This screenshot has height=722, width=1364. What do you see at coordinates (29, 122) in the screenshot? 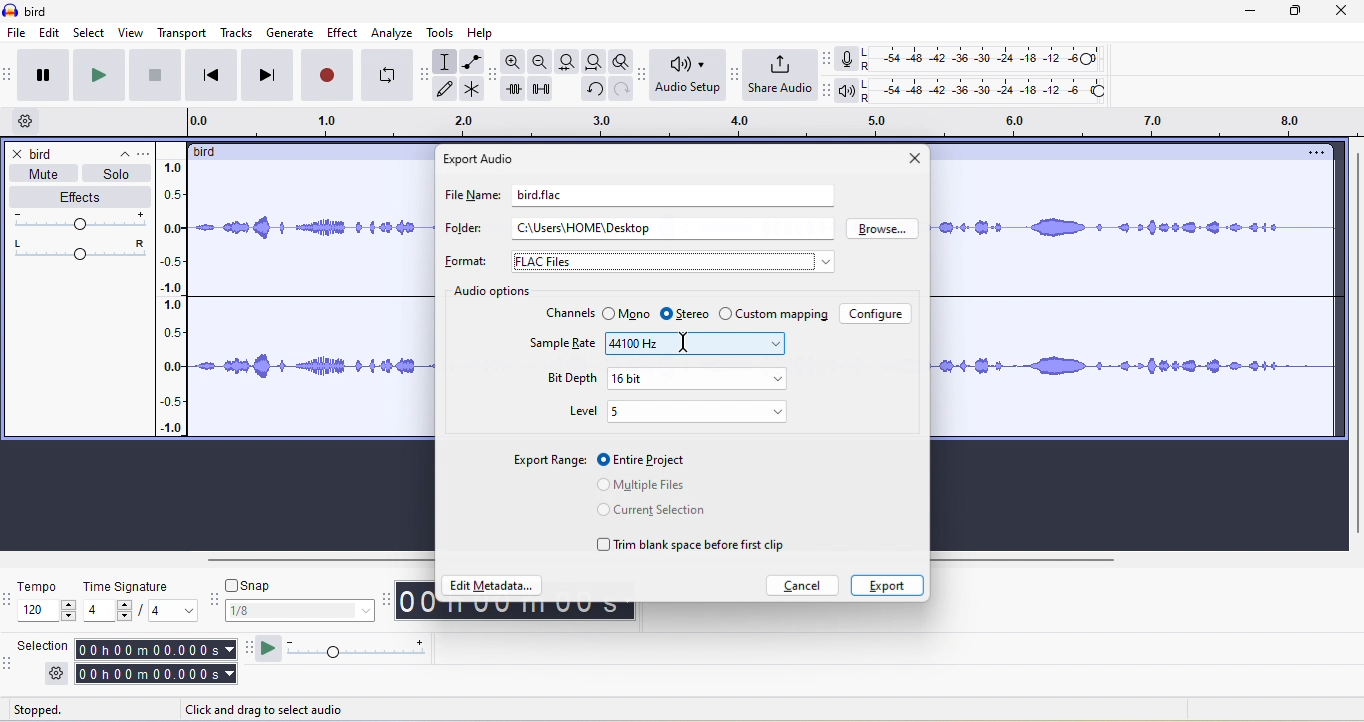
I see `timeline option` at bounding box center [29, 122].